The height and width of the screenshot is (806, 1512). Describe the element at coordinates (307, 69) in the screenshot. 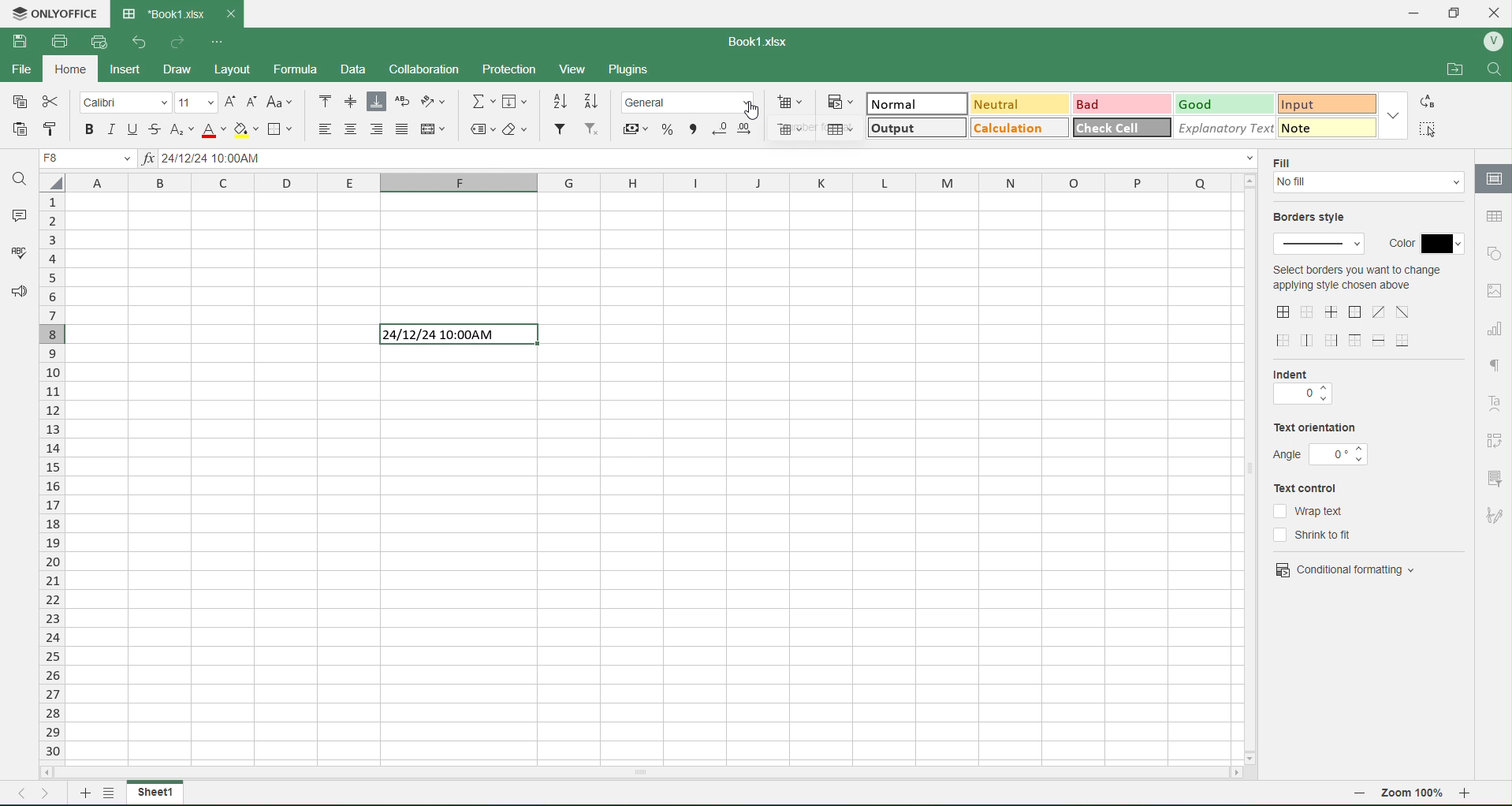

I see `Formual` at that location.